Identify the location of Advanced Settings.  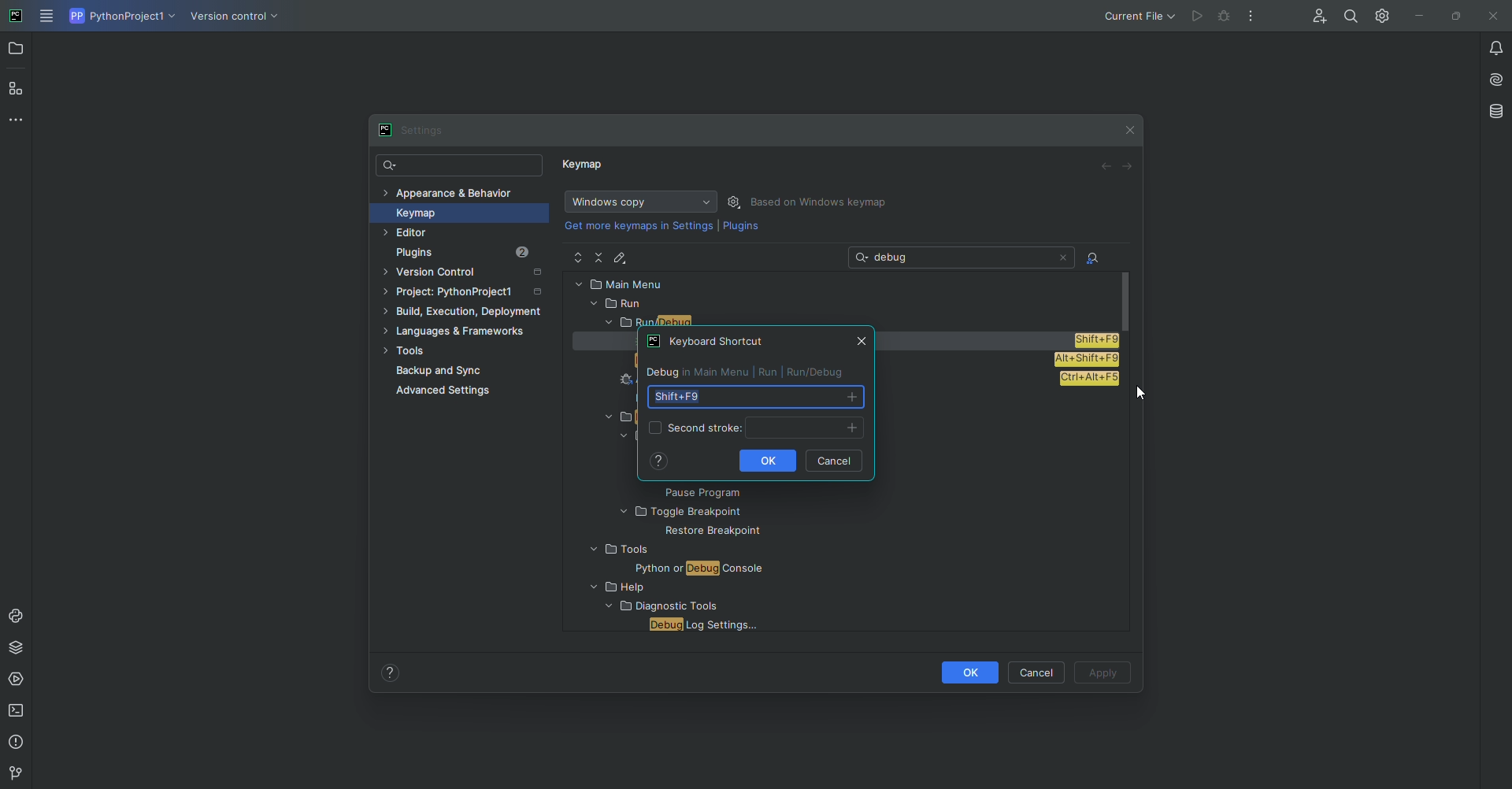
(447, 393).